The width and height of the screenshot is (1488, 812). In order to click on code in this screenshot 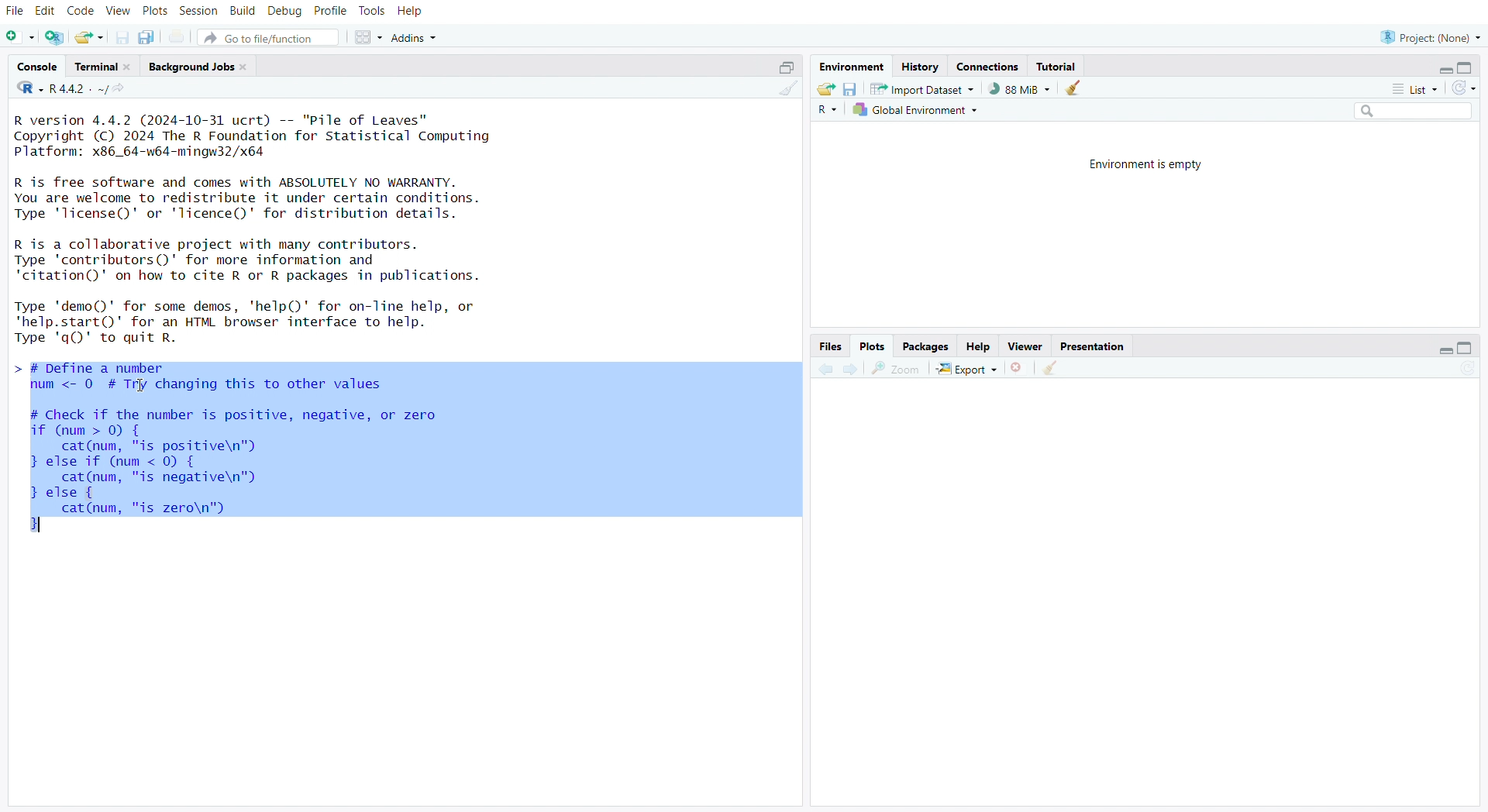, I will do `click(82, 11)`.